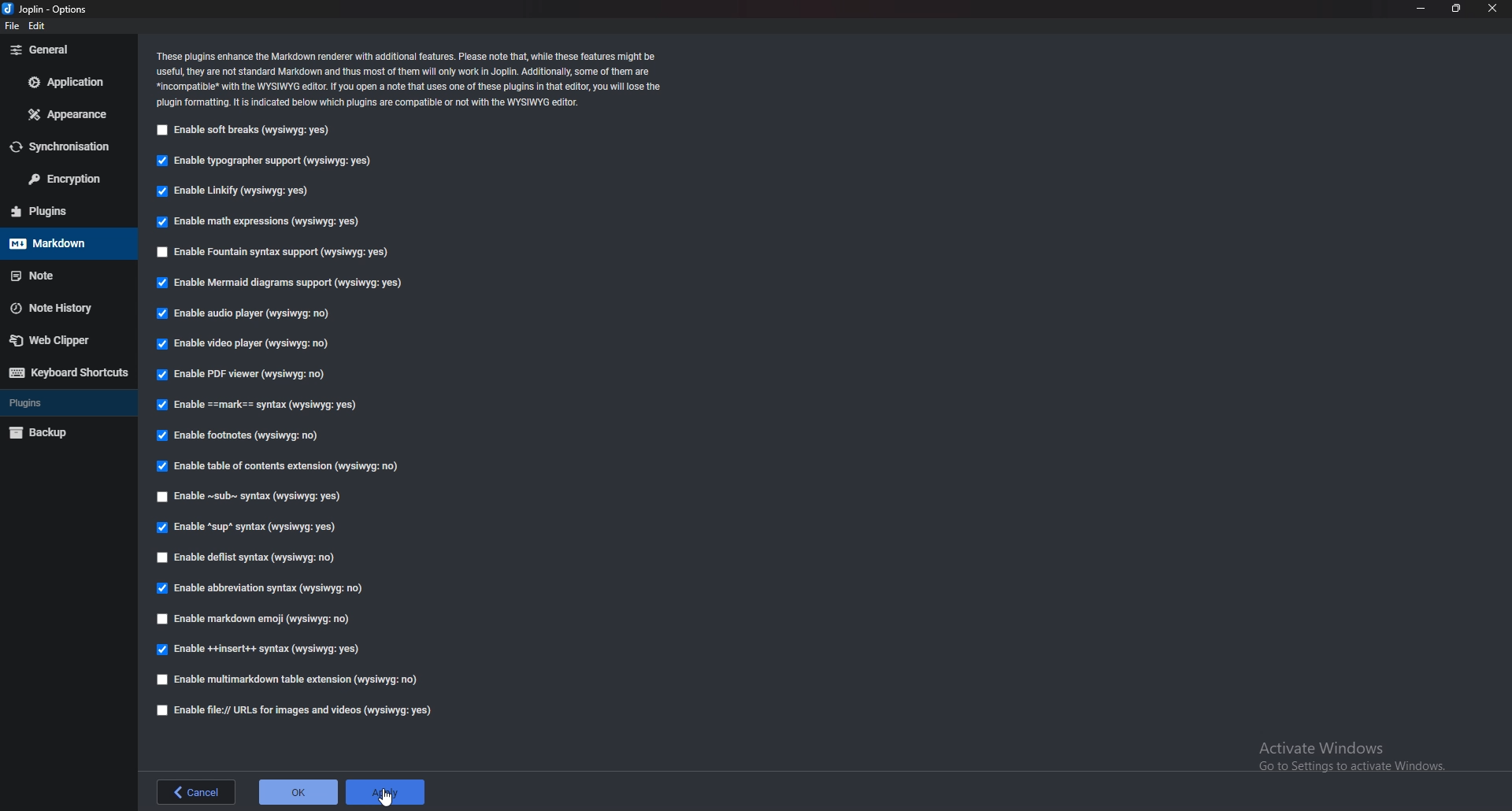 The height and width of the screenshot is (811, 1512). What do you see at coordinates (65, 340) in the screenshot?
I see `web clipper` at bounding box center [65, 340].